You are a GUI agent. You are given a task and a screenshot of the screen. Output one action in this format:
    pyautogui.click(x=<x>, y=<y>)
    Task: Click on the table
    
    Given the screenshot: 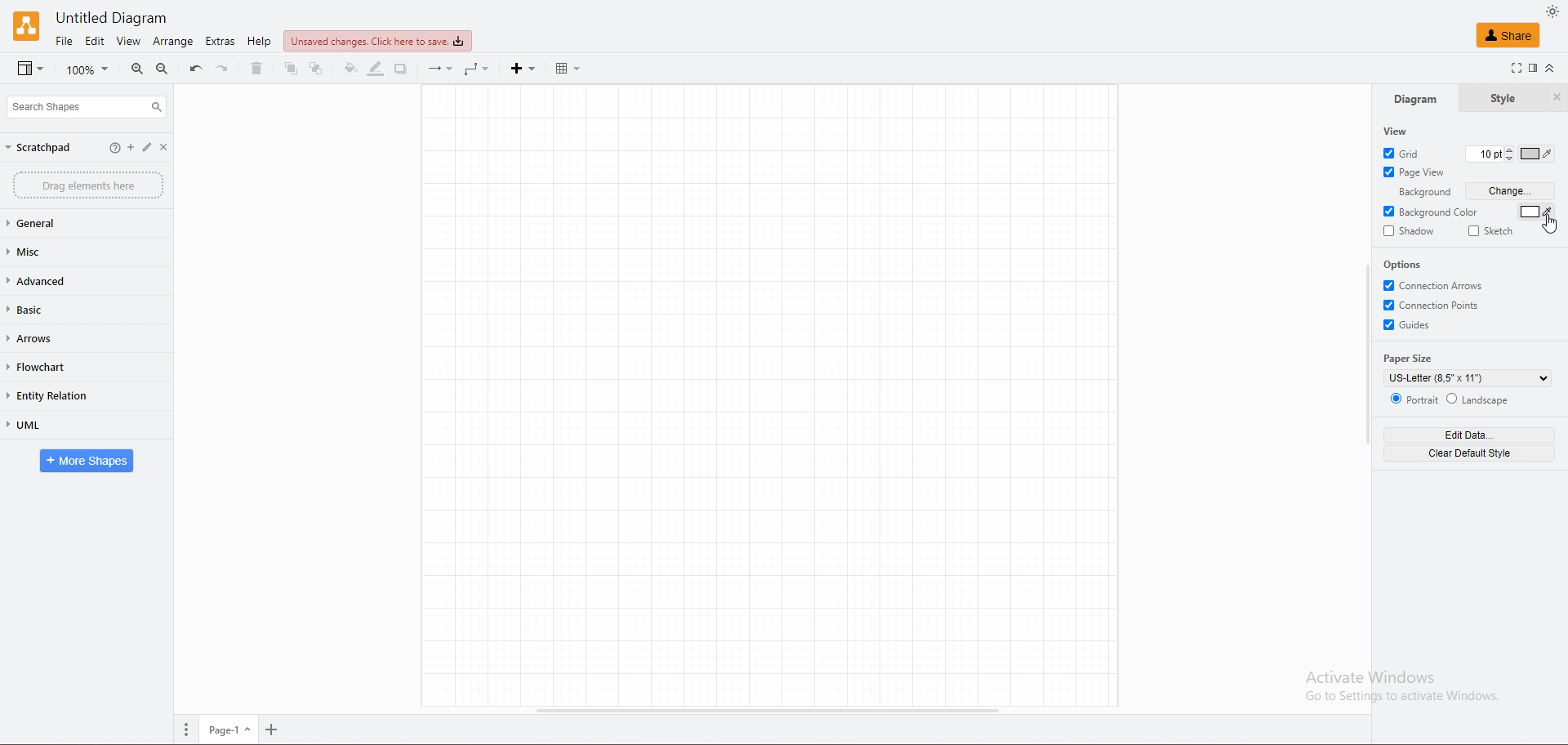 What is the action you would take?
    pyautogui.click(x=573, y=68)
    